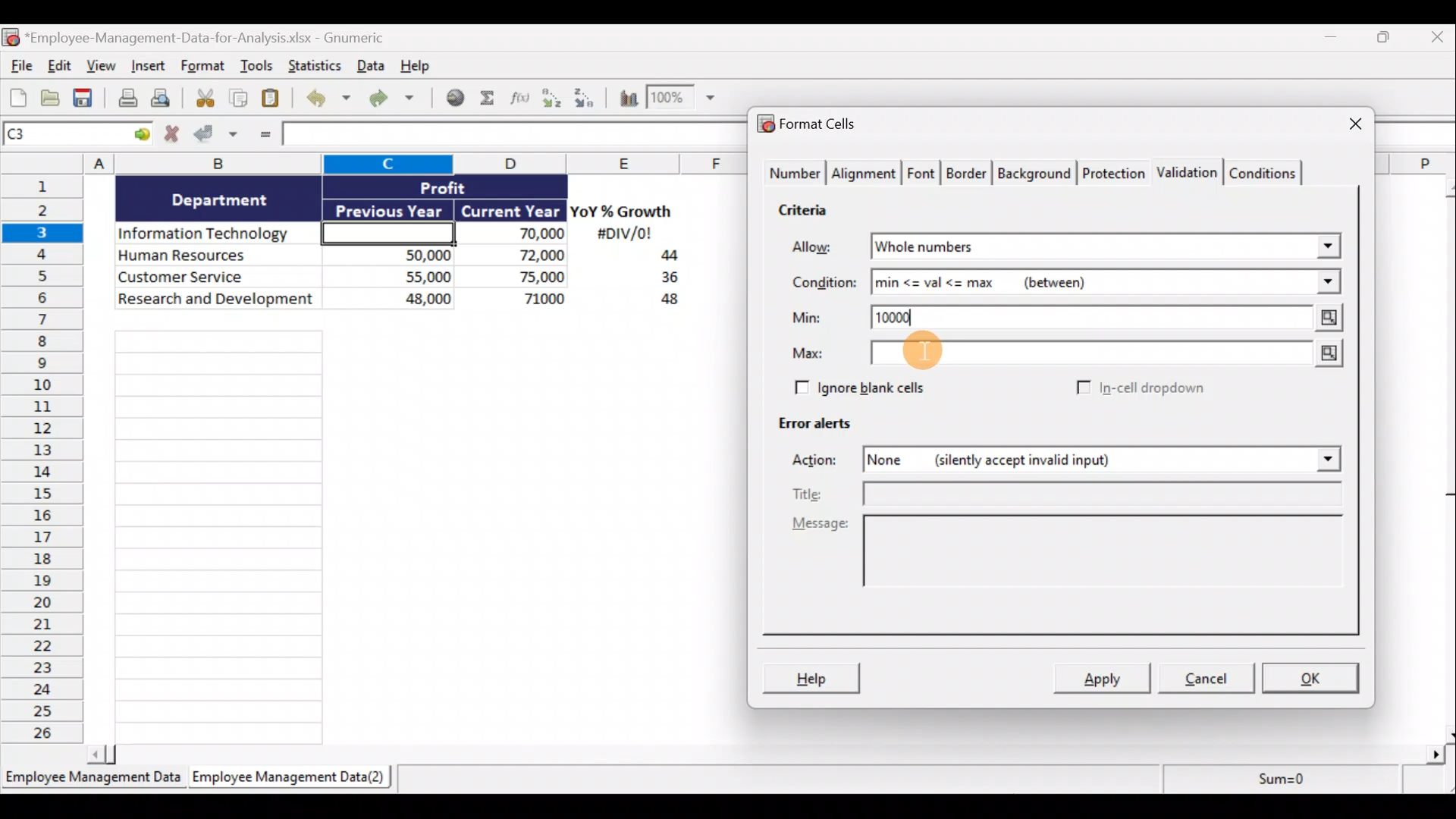  Describe the element at coordinates (865, 174) in the screenshot. I see `Alignment` at that location.